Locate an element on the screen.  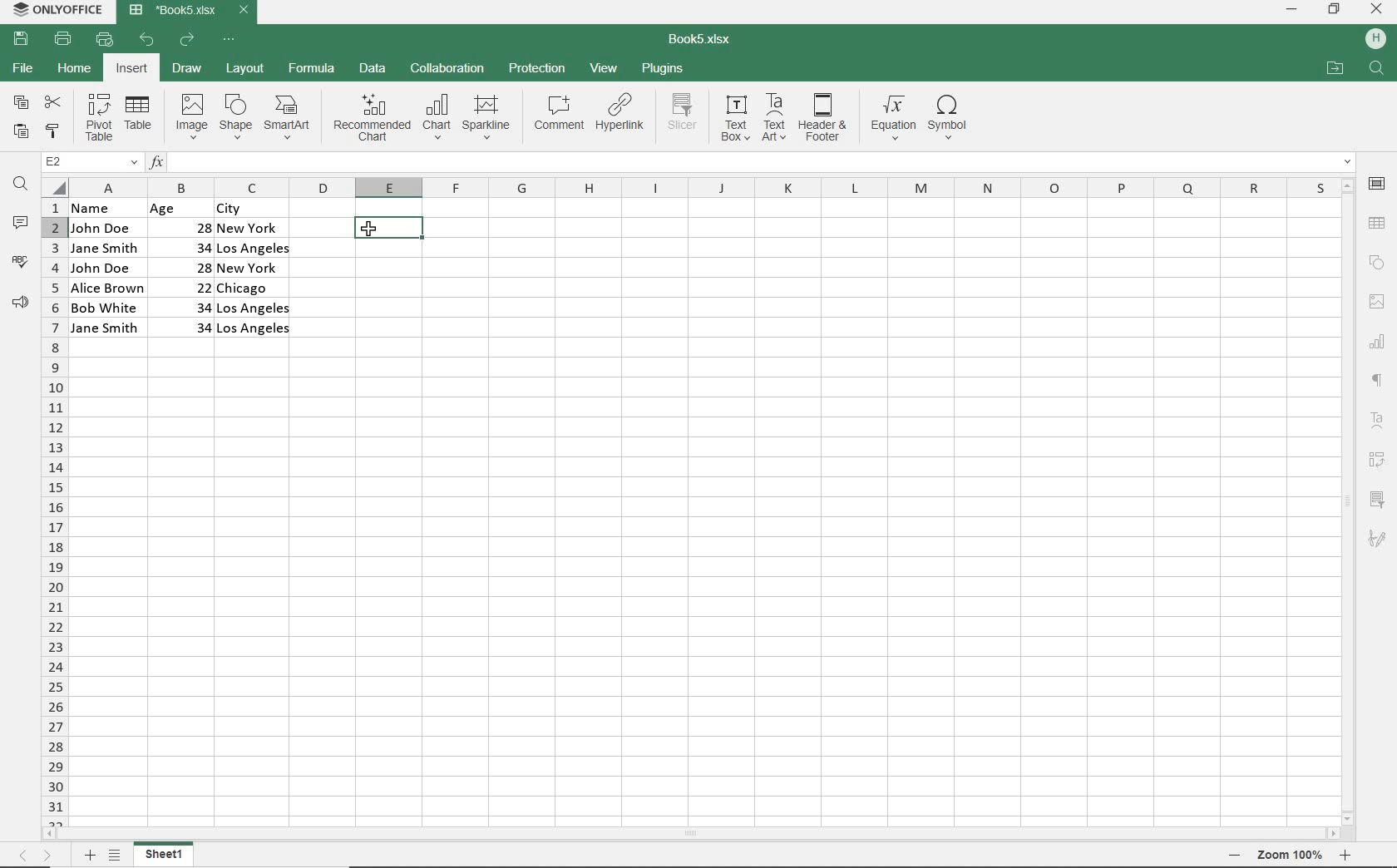
OPEN FILE LOCATION is located at coordinates (1334, 69).